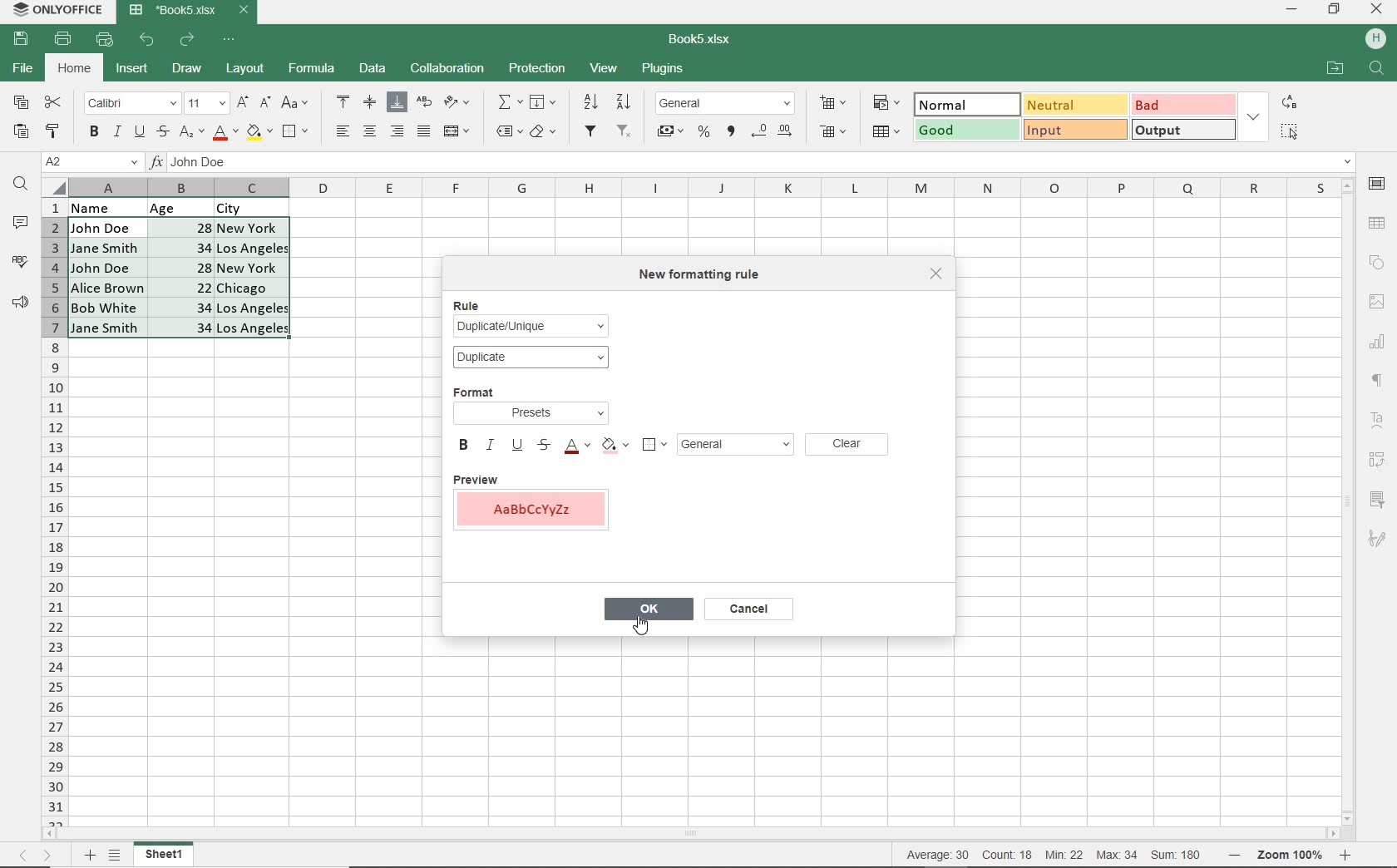  What do you see at coordinates (296, 103) in the screenshot?
I see `CHANGE CASE` at bounding box center [296, 103].